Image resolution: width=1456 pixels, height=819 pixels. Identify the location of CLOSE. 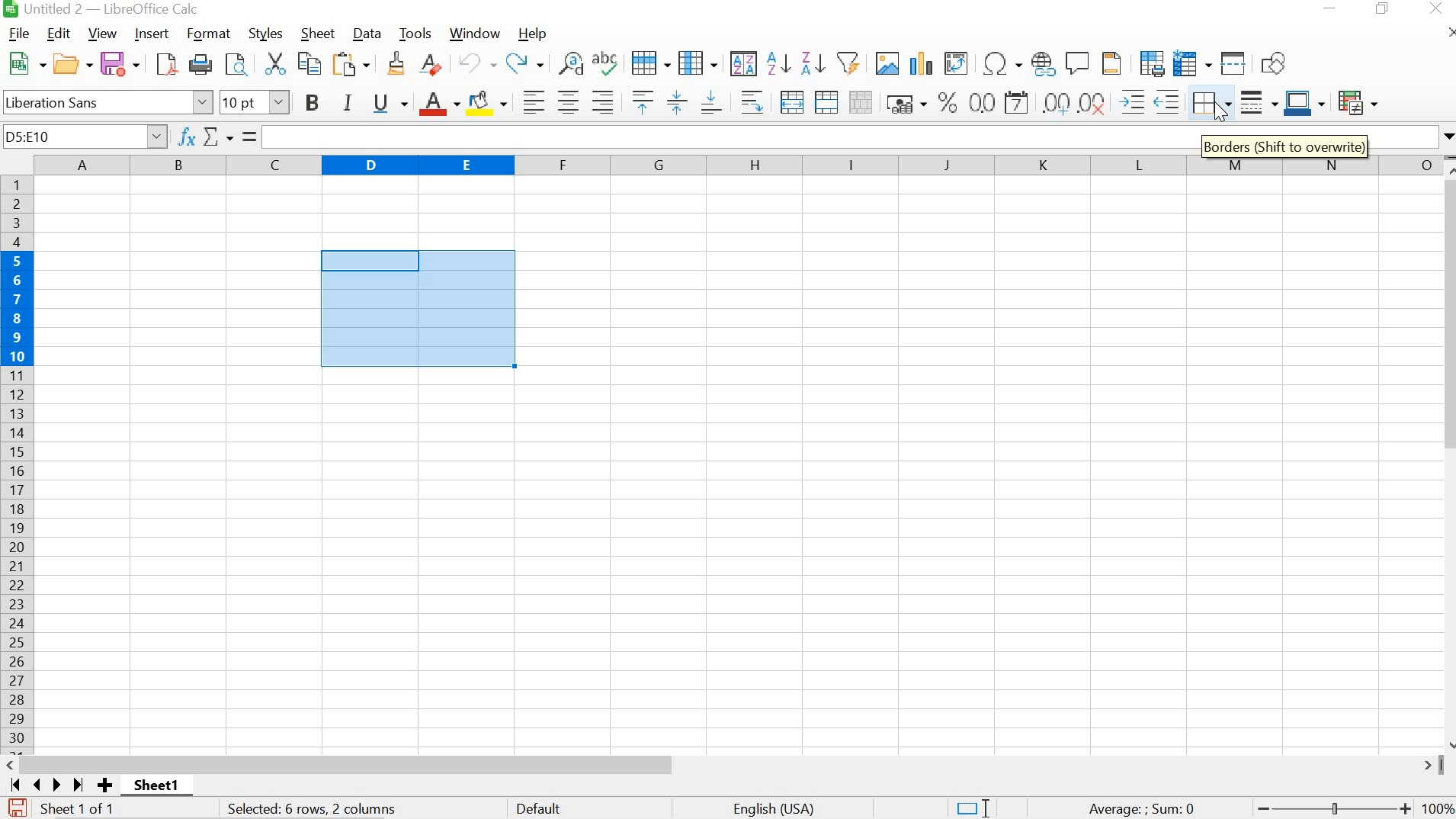
(1435, 8).